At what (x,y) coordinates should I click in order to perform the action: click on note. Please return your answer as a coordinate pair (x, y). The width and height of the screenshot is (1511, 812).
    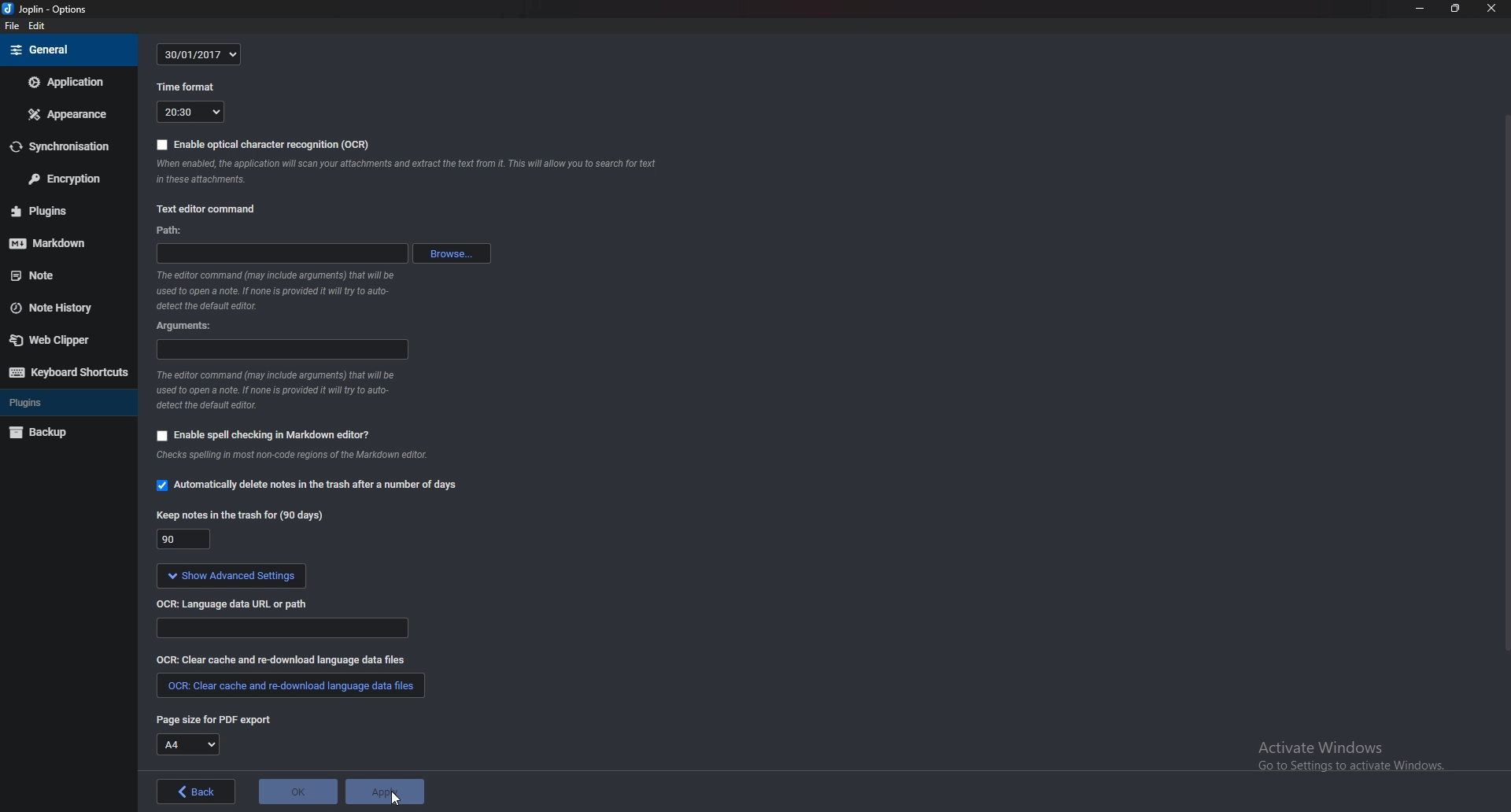
    Looking at the image, I should click on (54, 275).